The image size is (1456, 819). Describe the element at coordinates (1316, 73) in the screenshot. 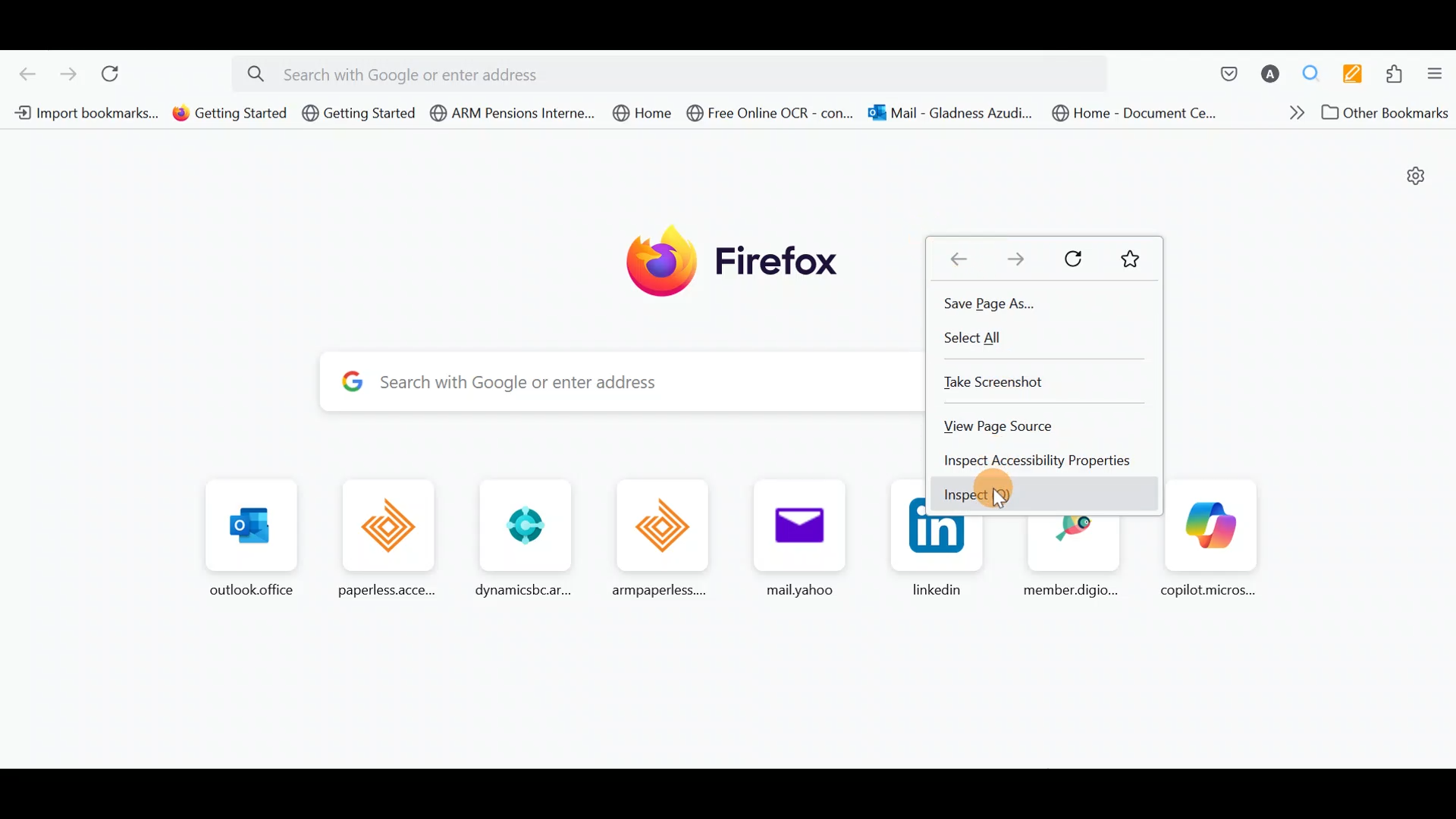

I see `Multiple search & highlight` at that location.